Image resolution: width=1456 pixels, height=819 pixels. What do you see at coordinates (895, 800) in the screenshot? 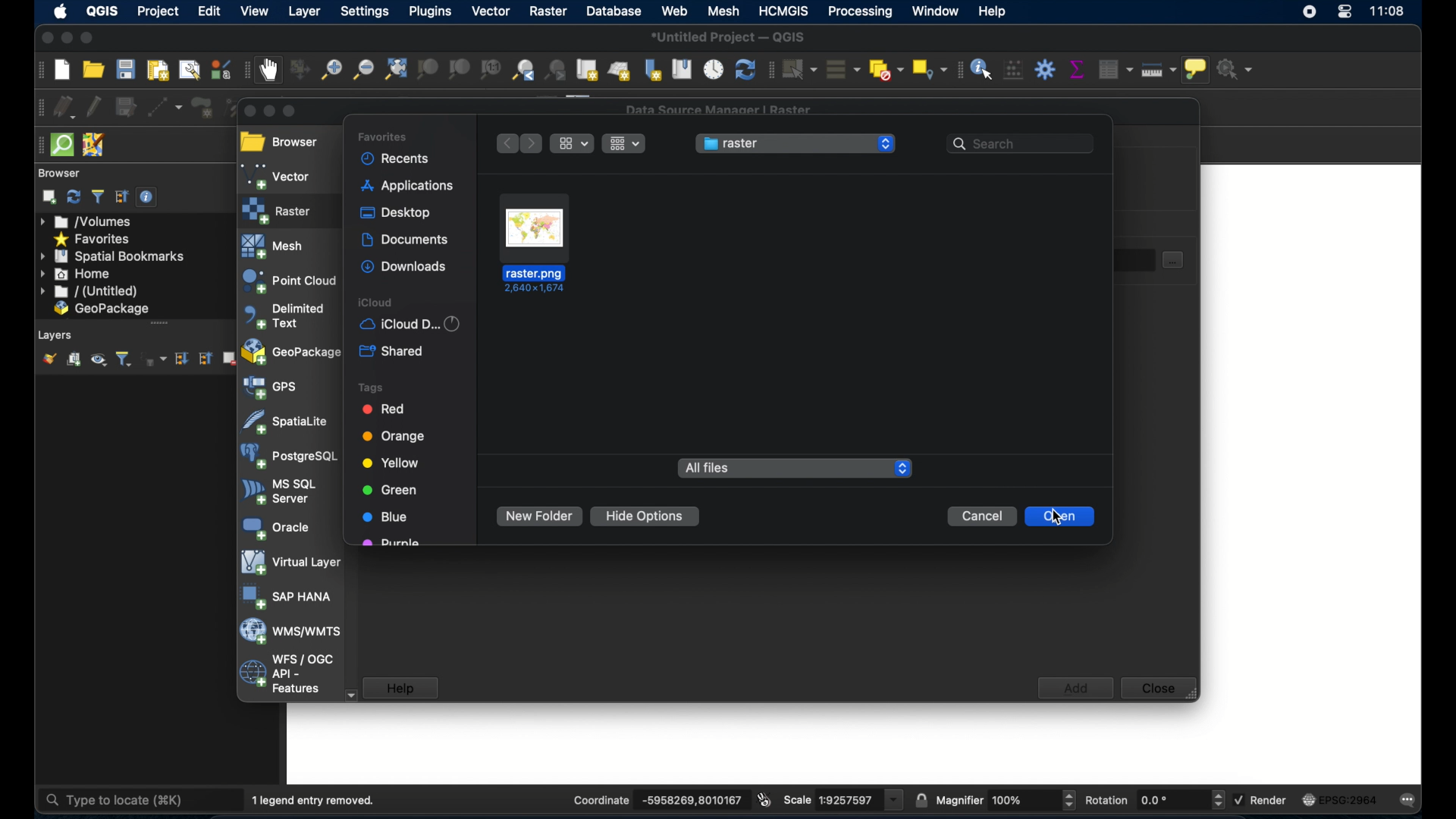
I see `dropdown` at bounding box center [895, 800].